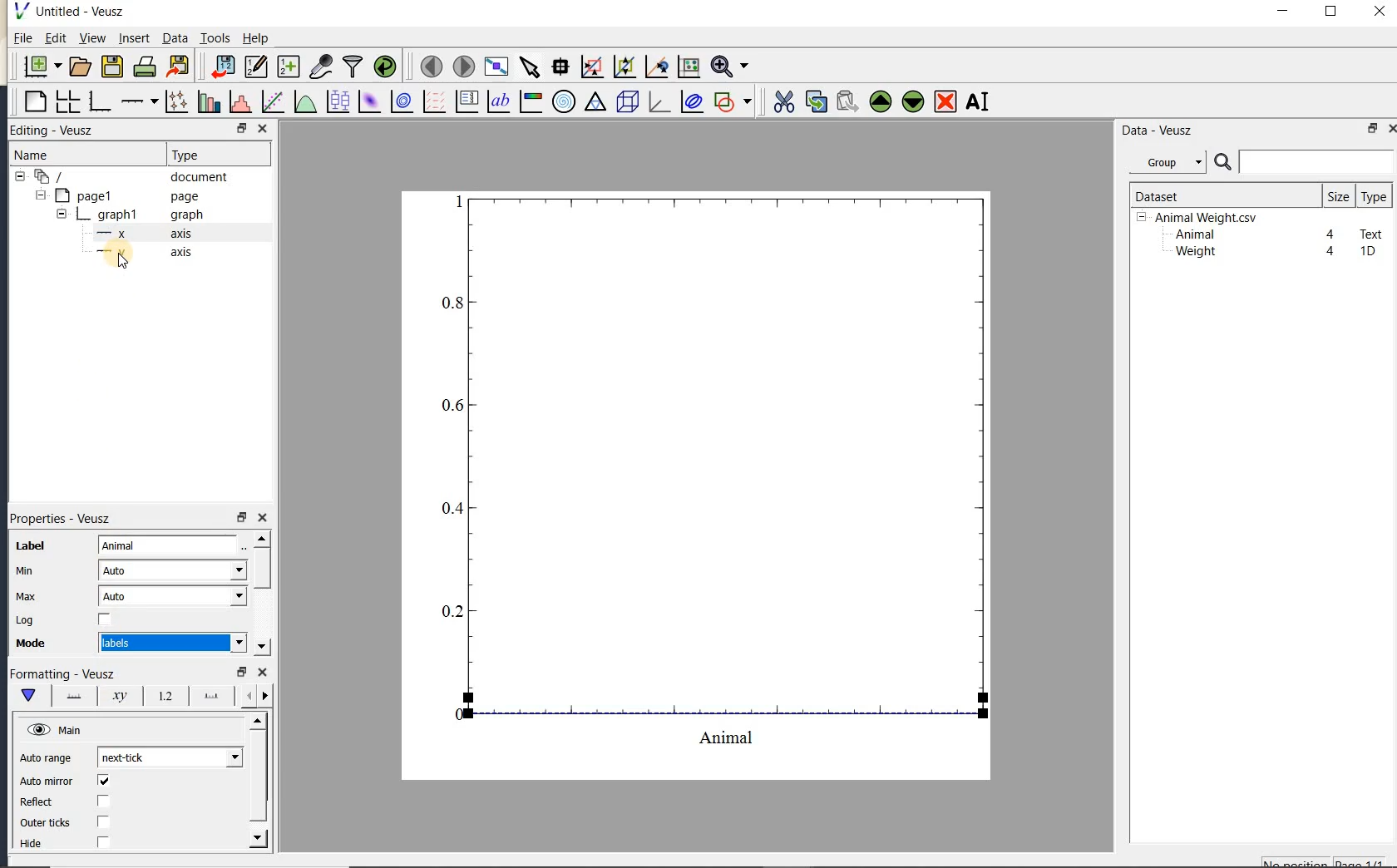  Describe the element at coordinates (26, 596) in the screenshot. I see `Max` at that location.